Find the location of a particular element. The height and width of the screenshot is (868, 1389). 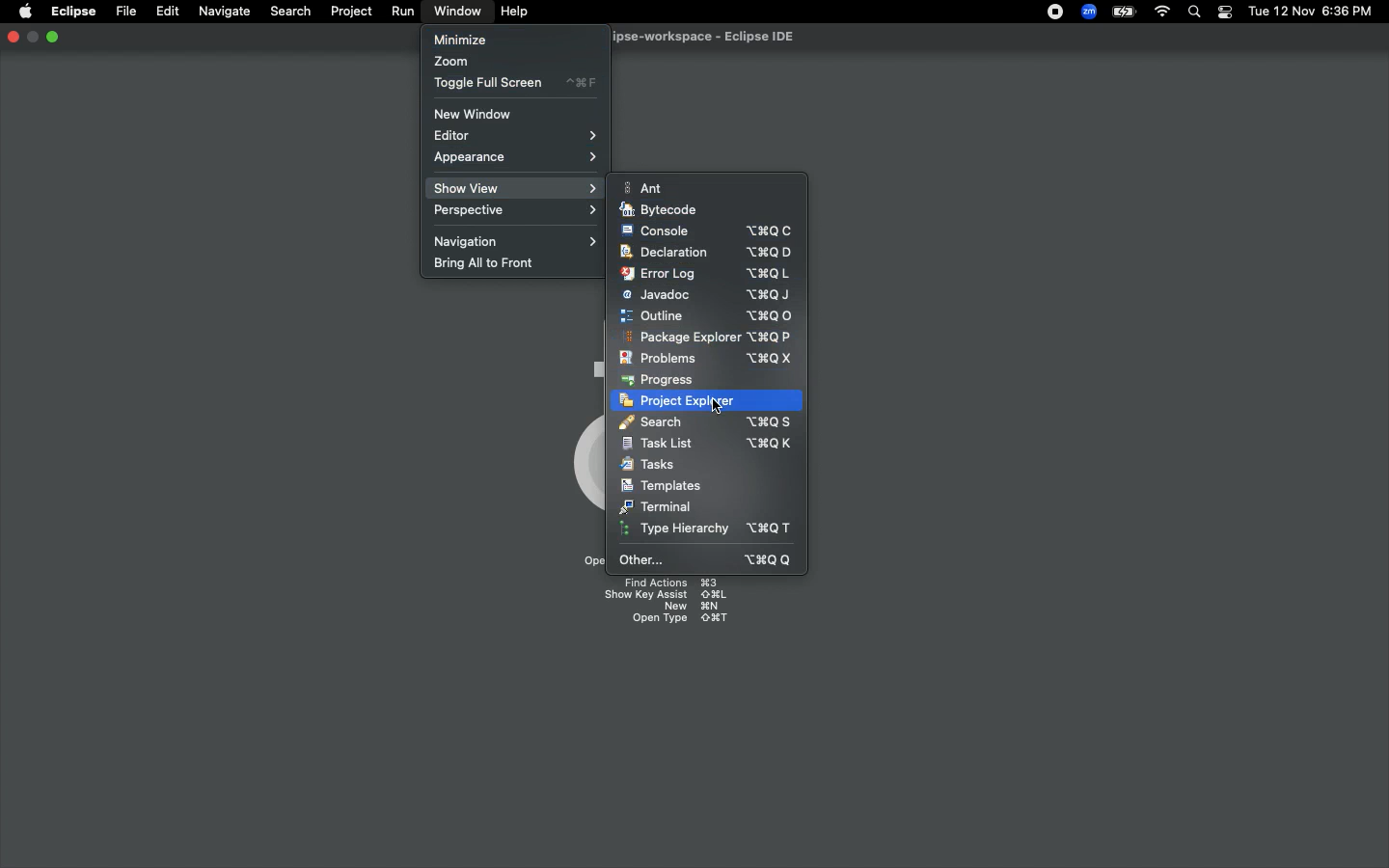

New window is located at coordinates (479, 114).